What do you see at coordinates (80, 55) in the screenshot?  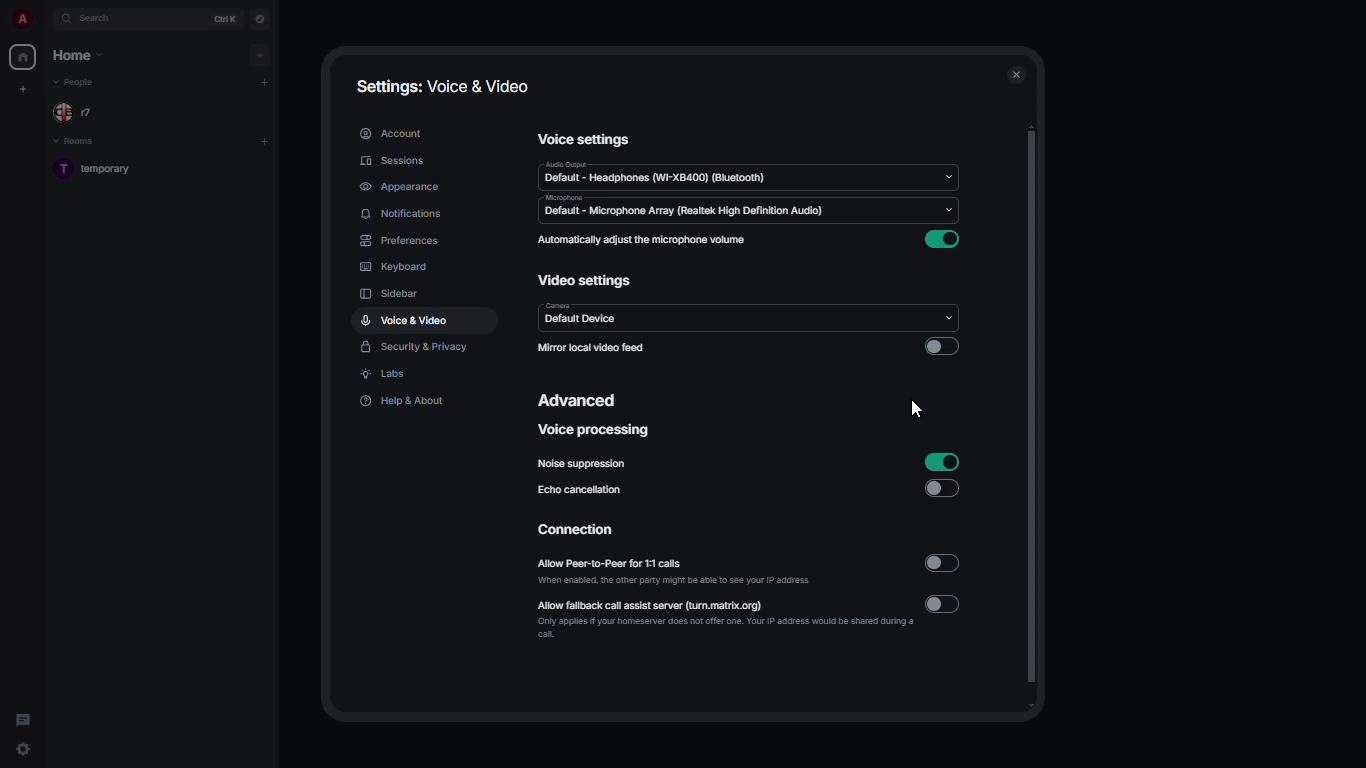 I see `home` at bounding box center [80, 55].